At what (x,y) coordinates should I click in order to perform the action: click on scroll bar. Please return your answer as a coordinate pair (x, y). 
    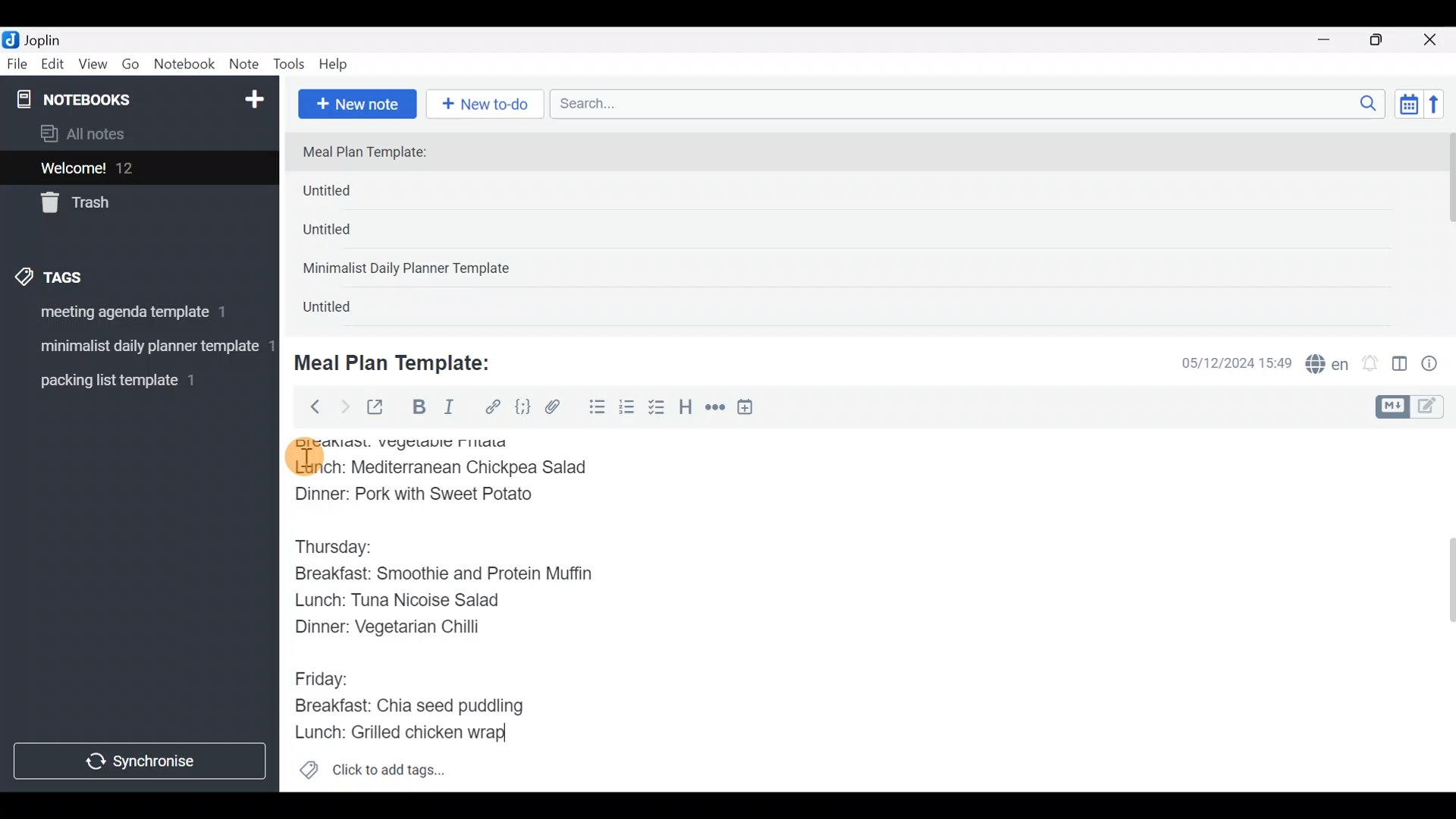
    Looking at the image, I should click on (1446, 229).